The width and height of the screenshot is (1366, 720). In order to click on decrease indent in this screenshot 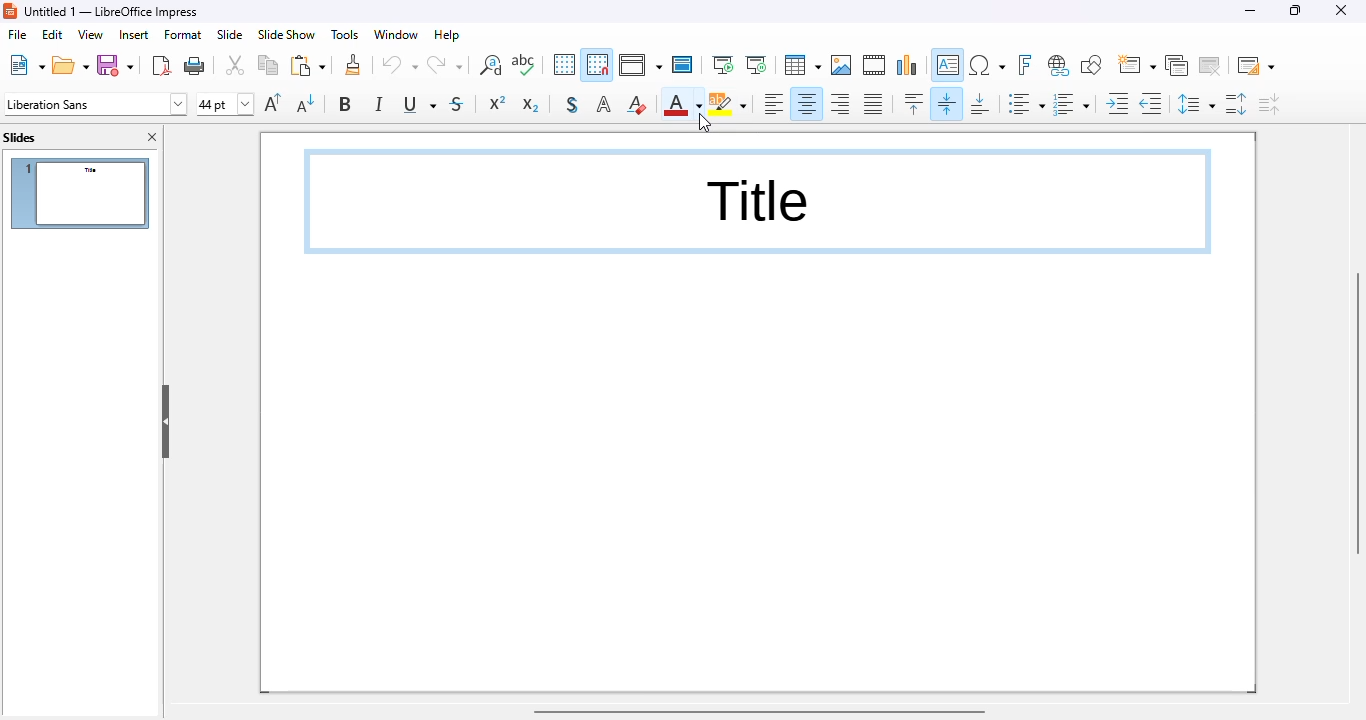, I will do `click(1150, 103)`.